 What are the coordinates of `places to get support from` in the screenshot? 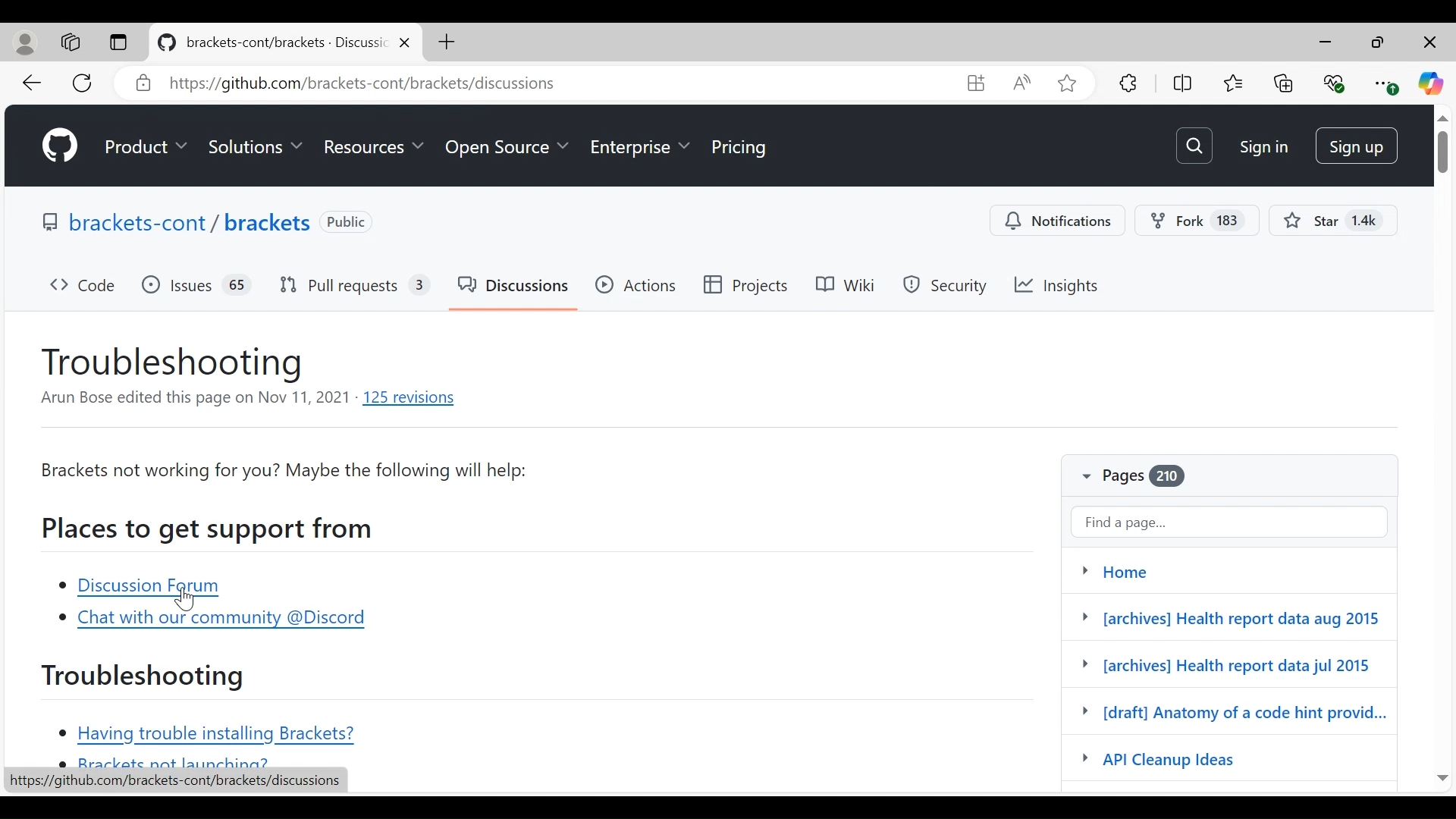 It's located at (210, 529).